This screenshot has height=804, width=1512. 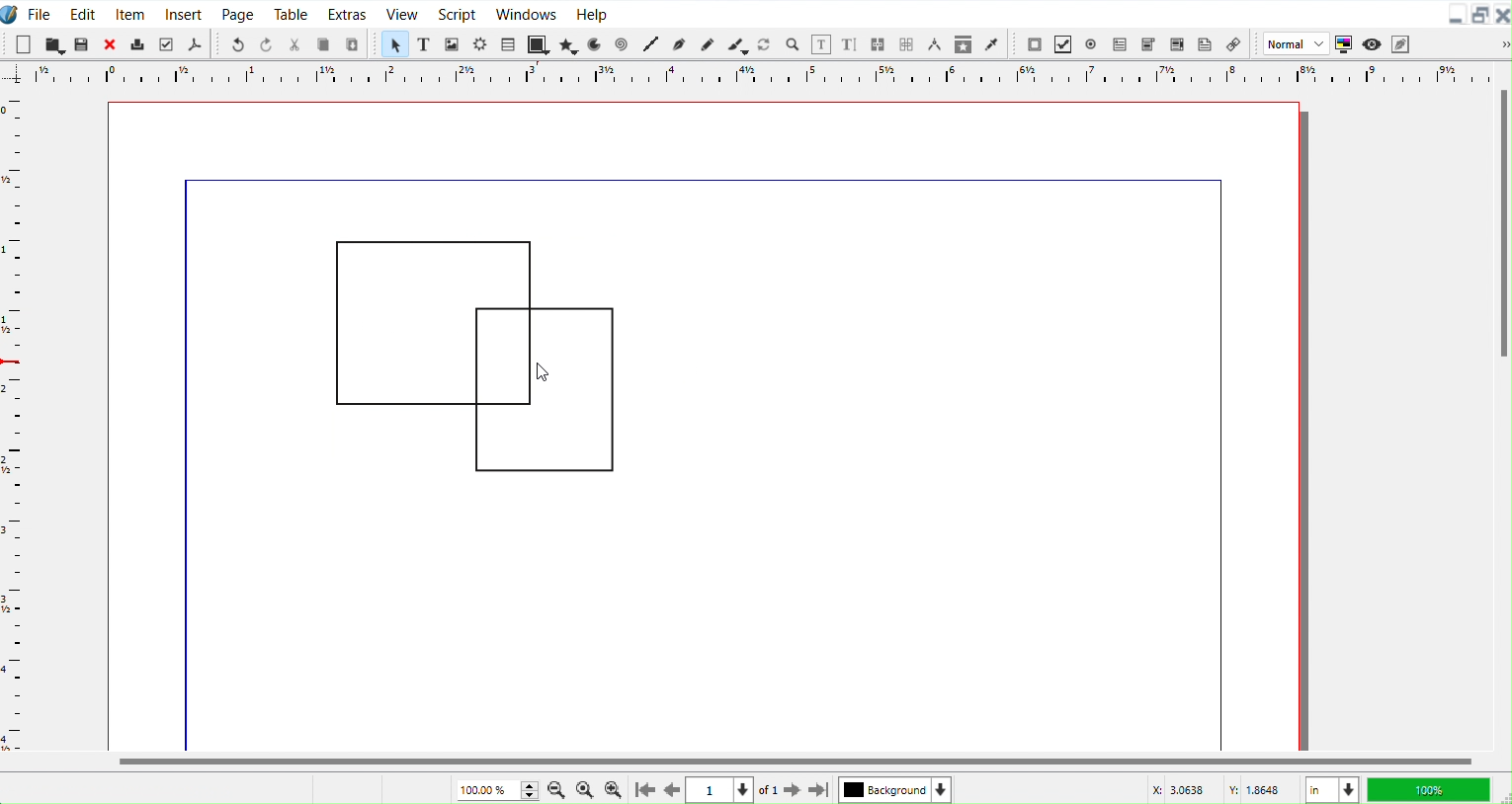 I want to click on Edit text with story editor, so click(x=851, y=44).